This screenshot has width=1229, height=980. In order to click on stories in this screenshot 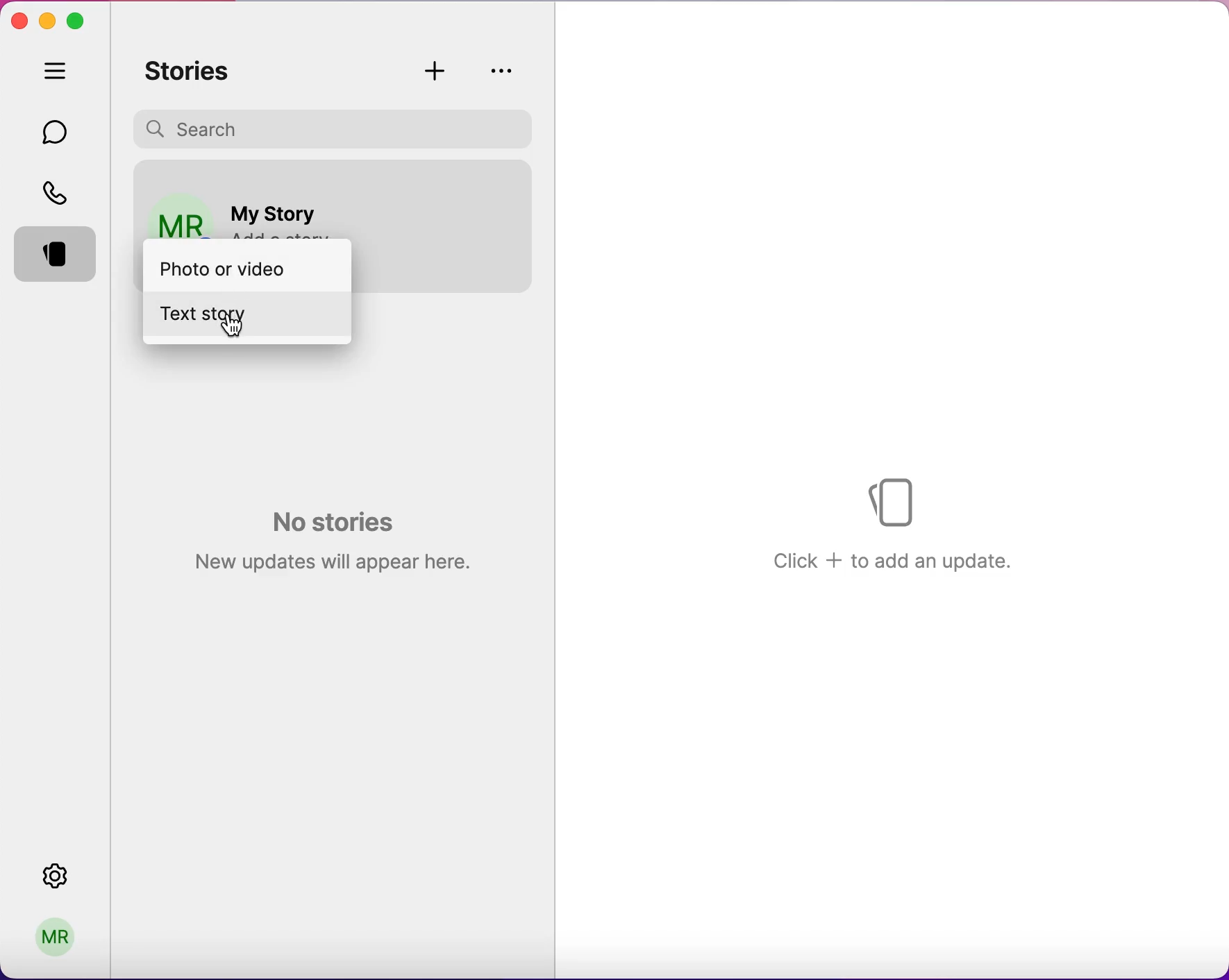, I will do `click(195, 71)`.